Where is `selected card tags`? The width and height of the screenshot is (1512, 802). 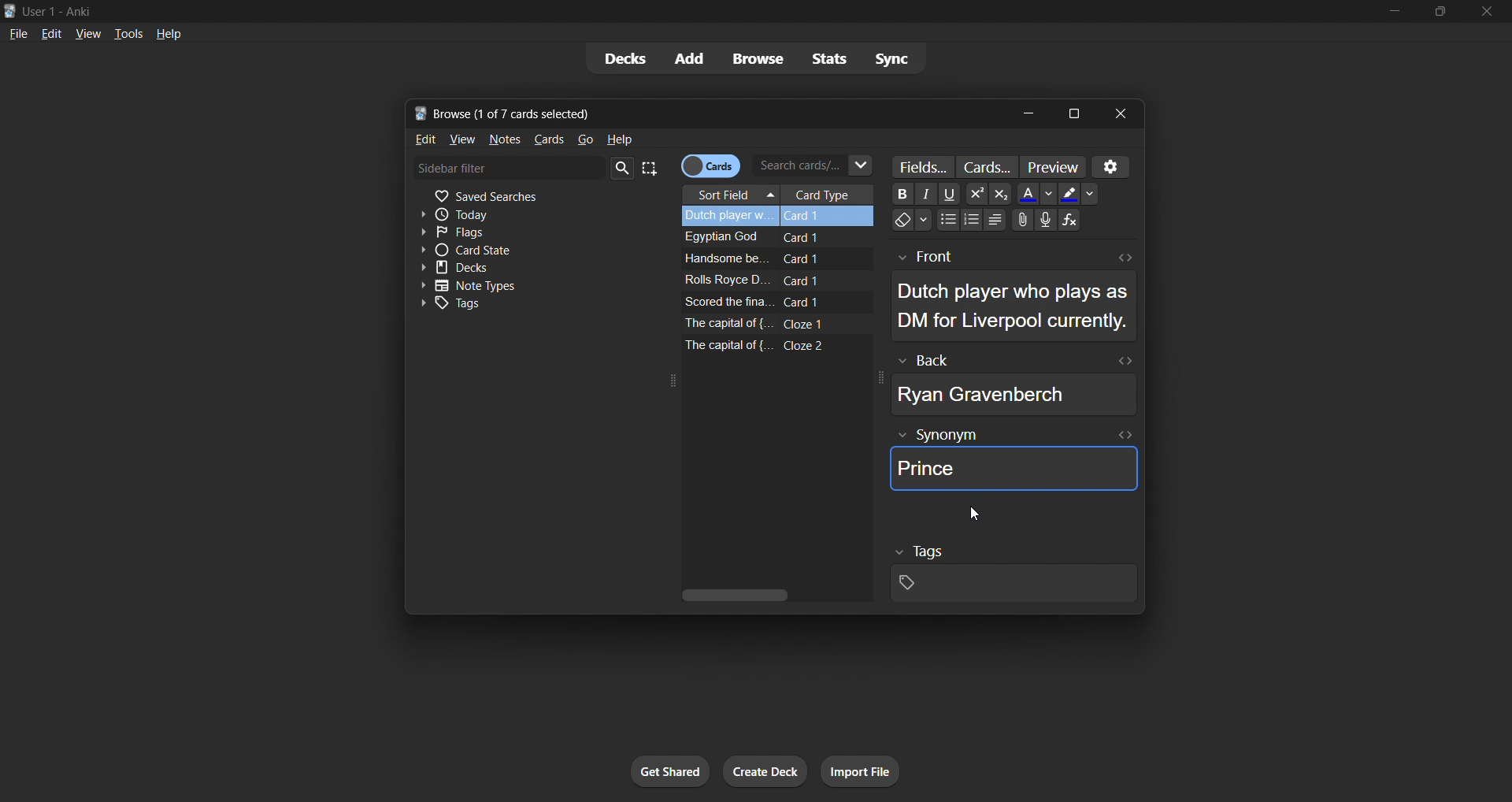
selected card tags is located at coordinates (1018, 577).